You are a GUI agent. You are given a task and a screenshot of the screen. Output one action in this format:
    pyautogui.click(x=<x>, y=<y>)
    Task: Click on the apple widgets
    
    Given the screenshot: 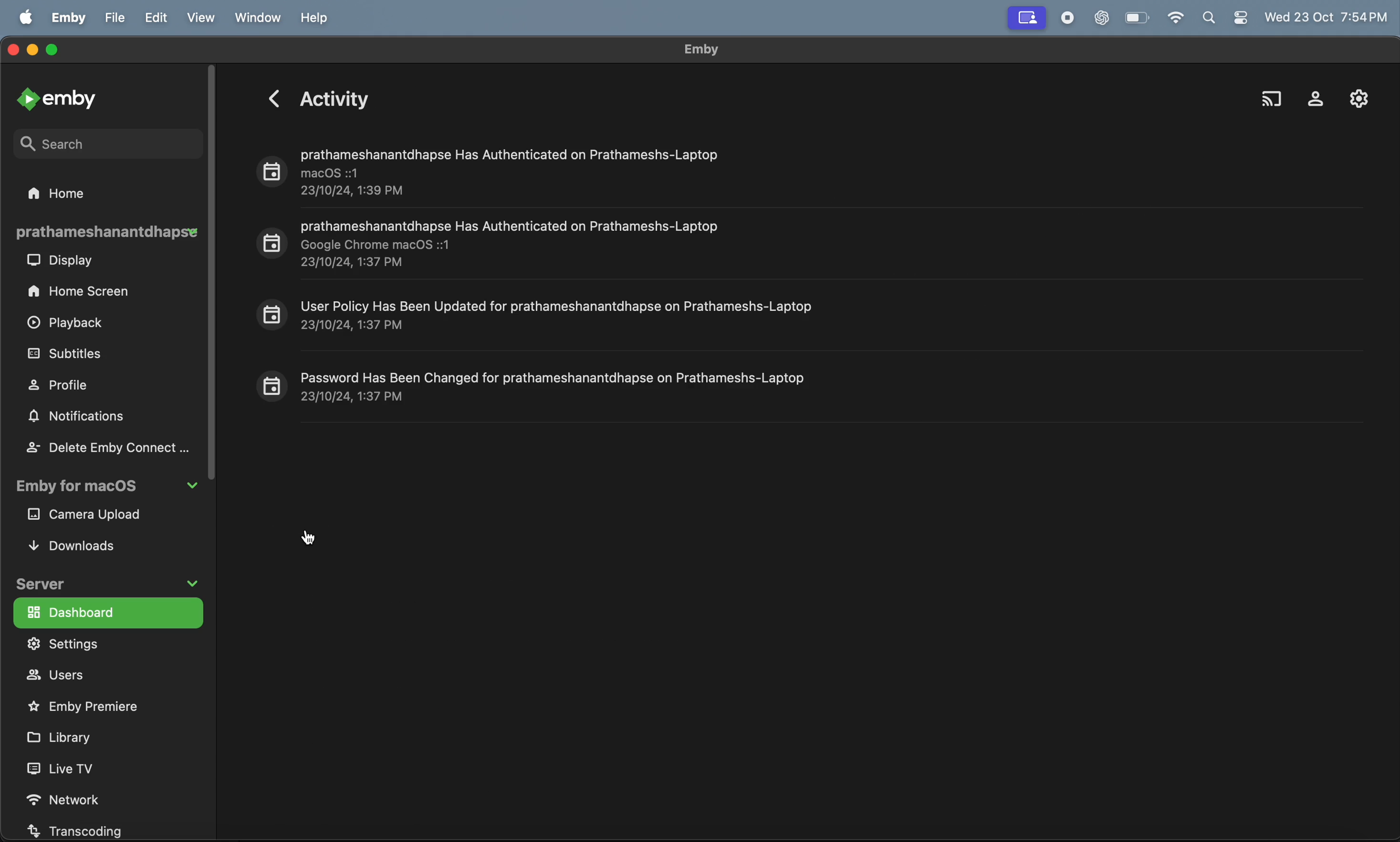 What is the action you would take?
    pyautogui.click(x=1225, y=17)
    